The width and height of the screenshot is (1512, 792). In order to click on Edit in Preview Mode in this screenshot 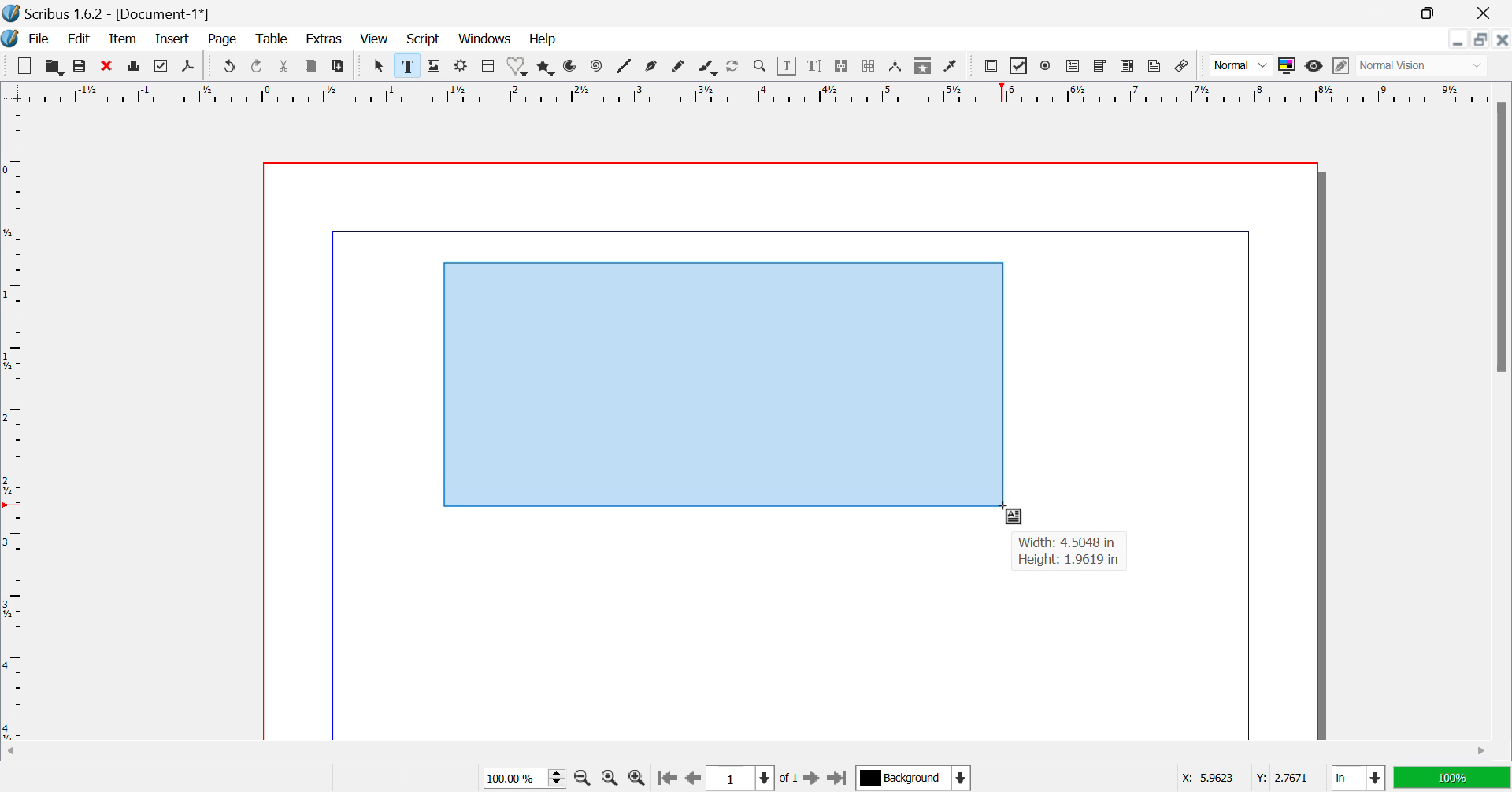, I will do `click(1341, 68)`.